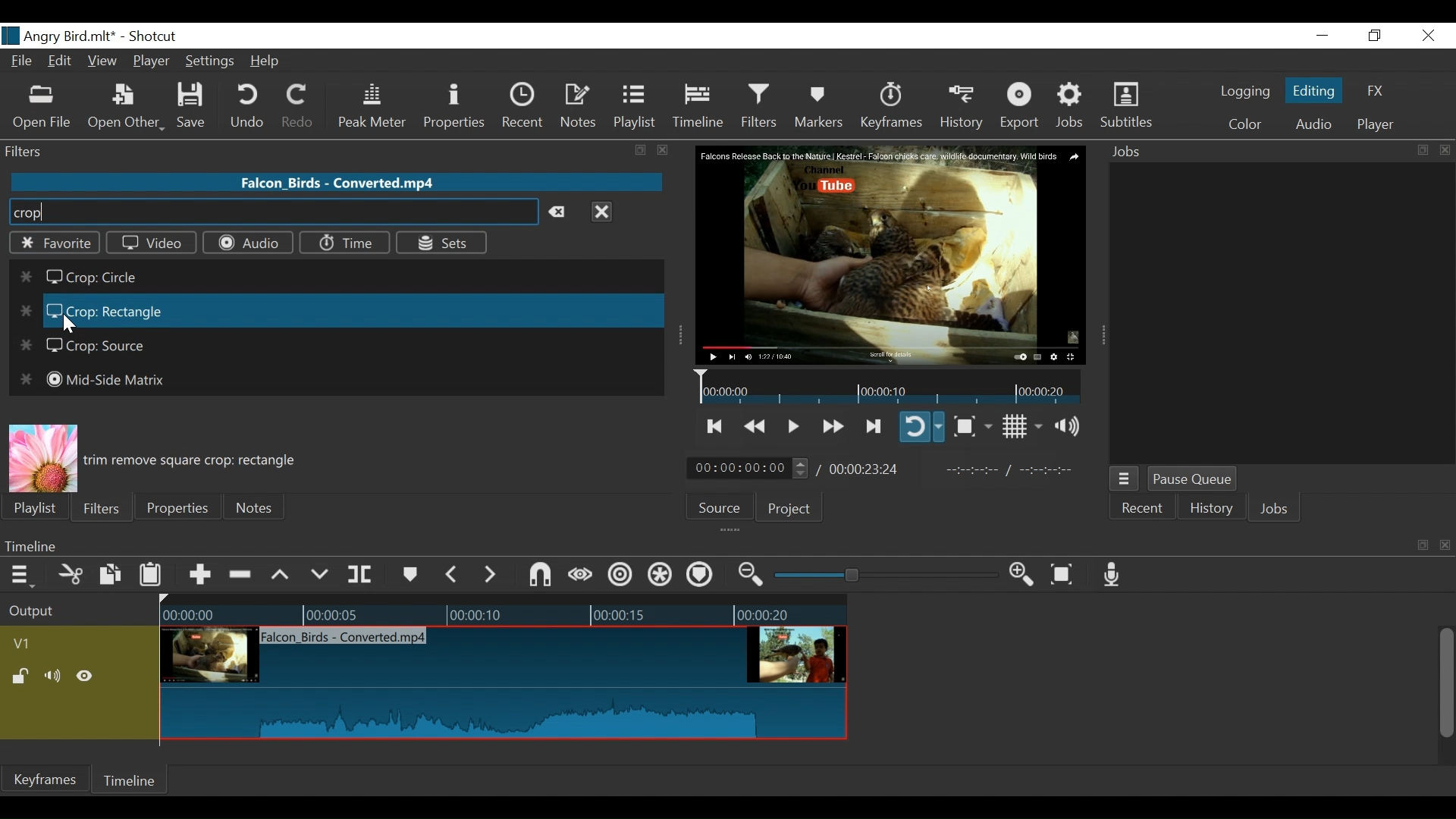 This screenshot has width=1456, height=819. I want to click on close, so click(1447, 546).